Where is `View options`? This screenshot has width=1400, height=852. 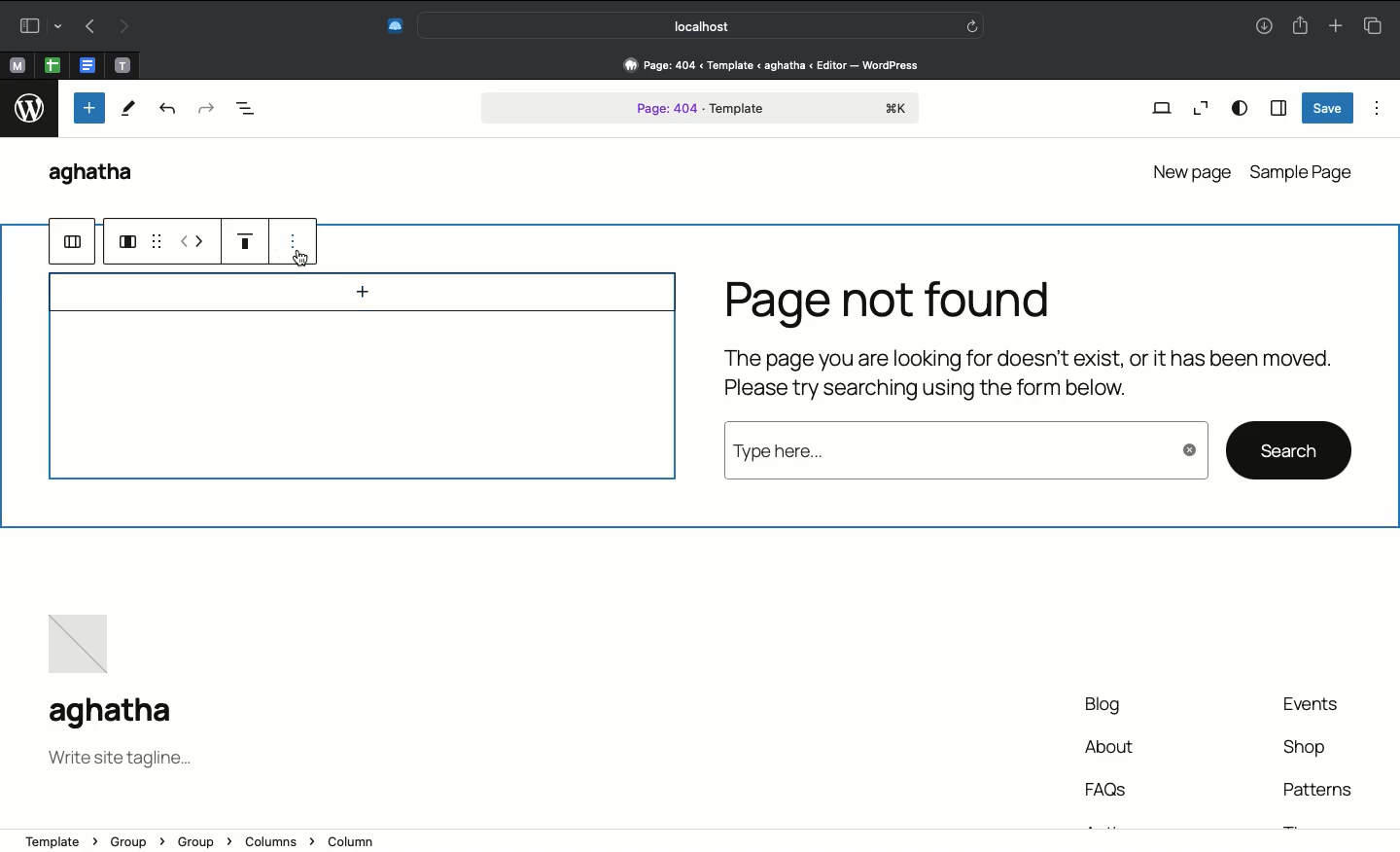
View options is located at coordinates (1241, 109).